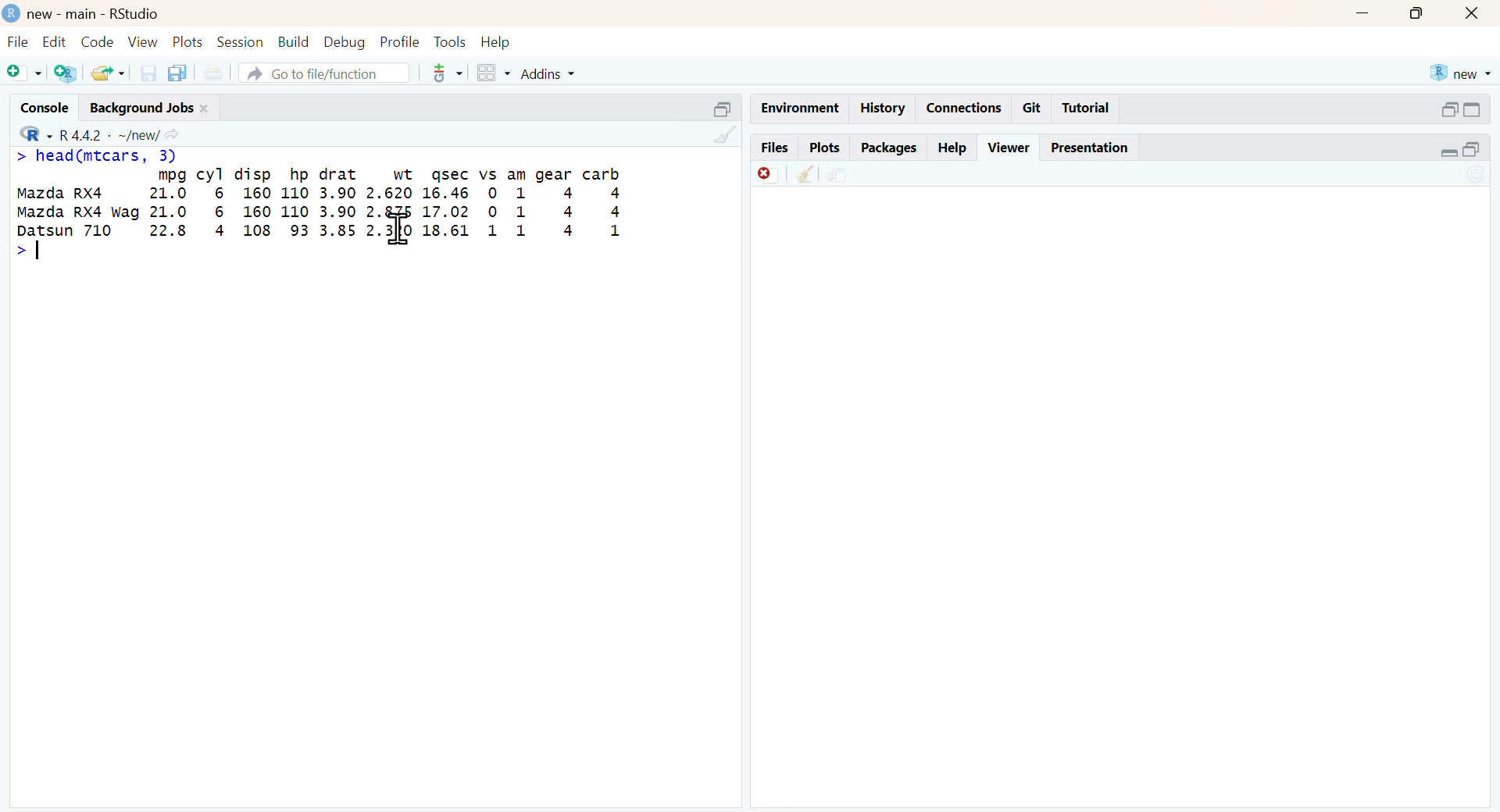  I want to click on mpg cyl disp hp drat wt sec vs am gear carb
Mazda RX4 21.0 6 160 110 3.90 2.620 16.46 0 1 4 4
Mazda RX4 wag 21.0 6 160 110 3.90 2. 17.02 0 1 4 4
ren 710 22.8 4 108 93 3.85 23 18.61 1 1 4 1
>, so click(350, 215).